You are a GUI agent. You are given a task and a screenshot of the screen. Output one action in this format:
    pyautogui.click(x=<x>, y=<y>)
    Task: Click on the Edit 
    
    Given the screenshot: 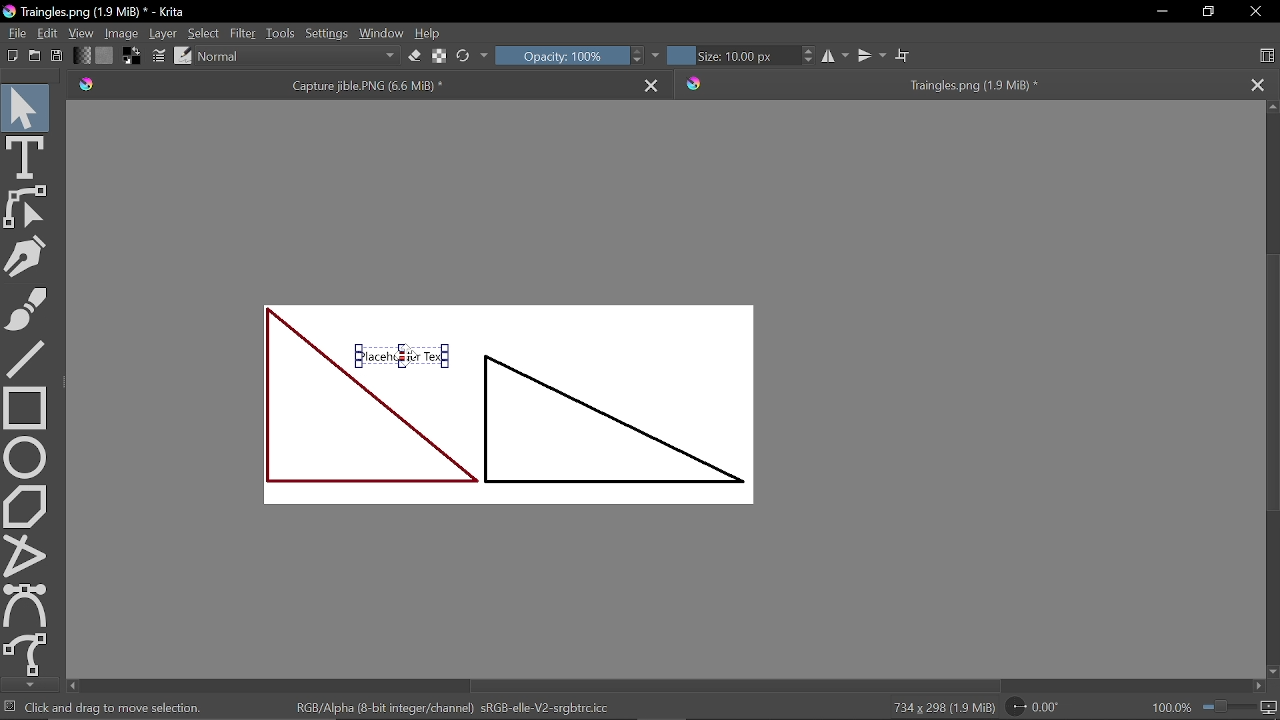 What is the action you would take?
    pyautogui.click(x=50, y=34)
    